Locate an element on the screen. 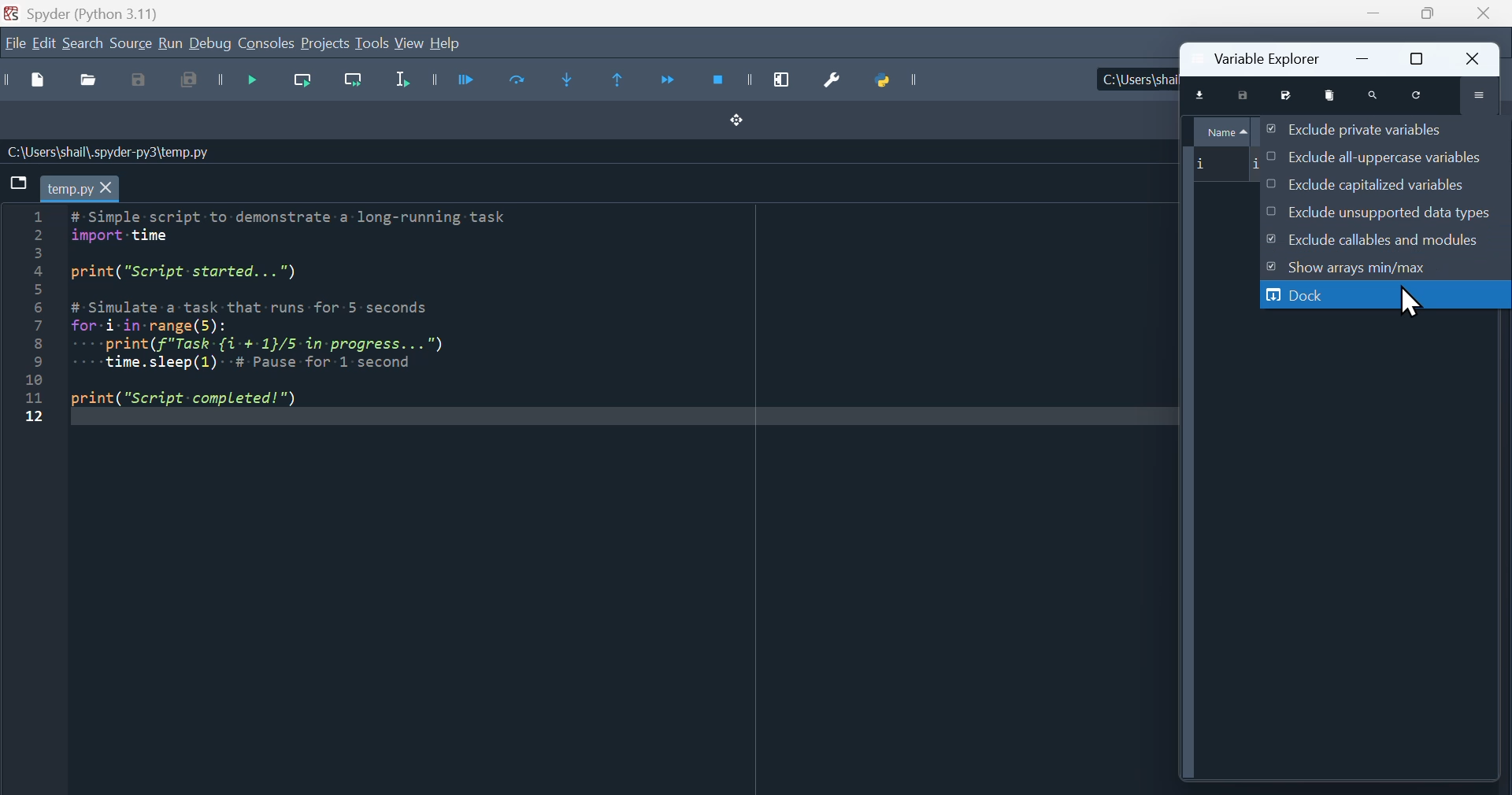 Image resolution: width=1512 pixels, height=795 pixels. code is located at coordinates (309, 315).